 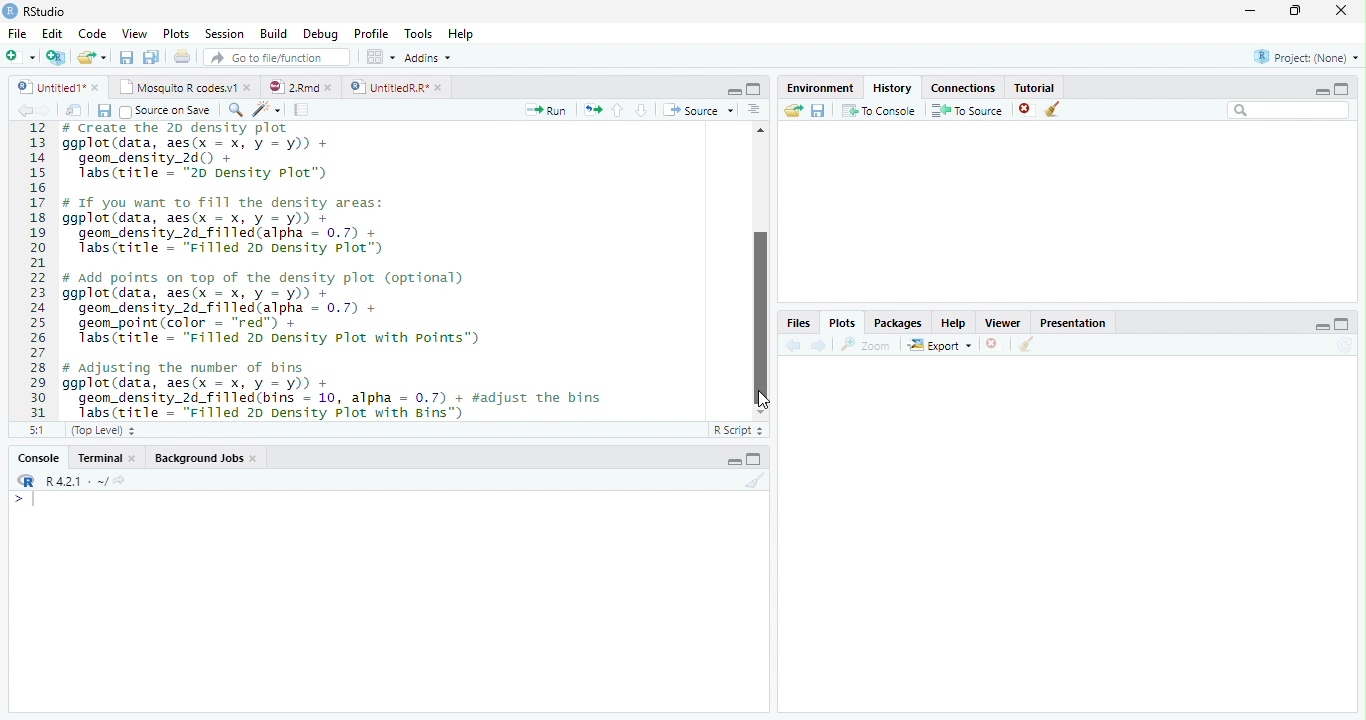 I want to click on Help, so click(x=460, y=35).